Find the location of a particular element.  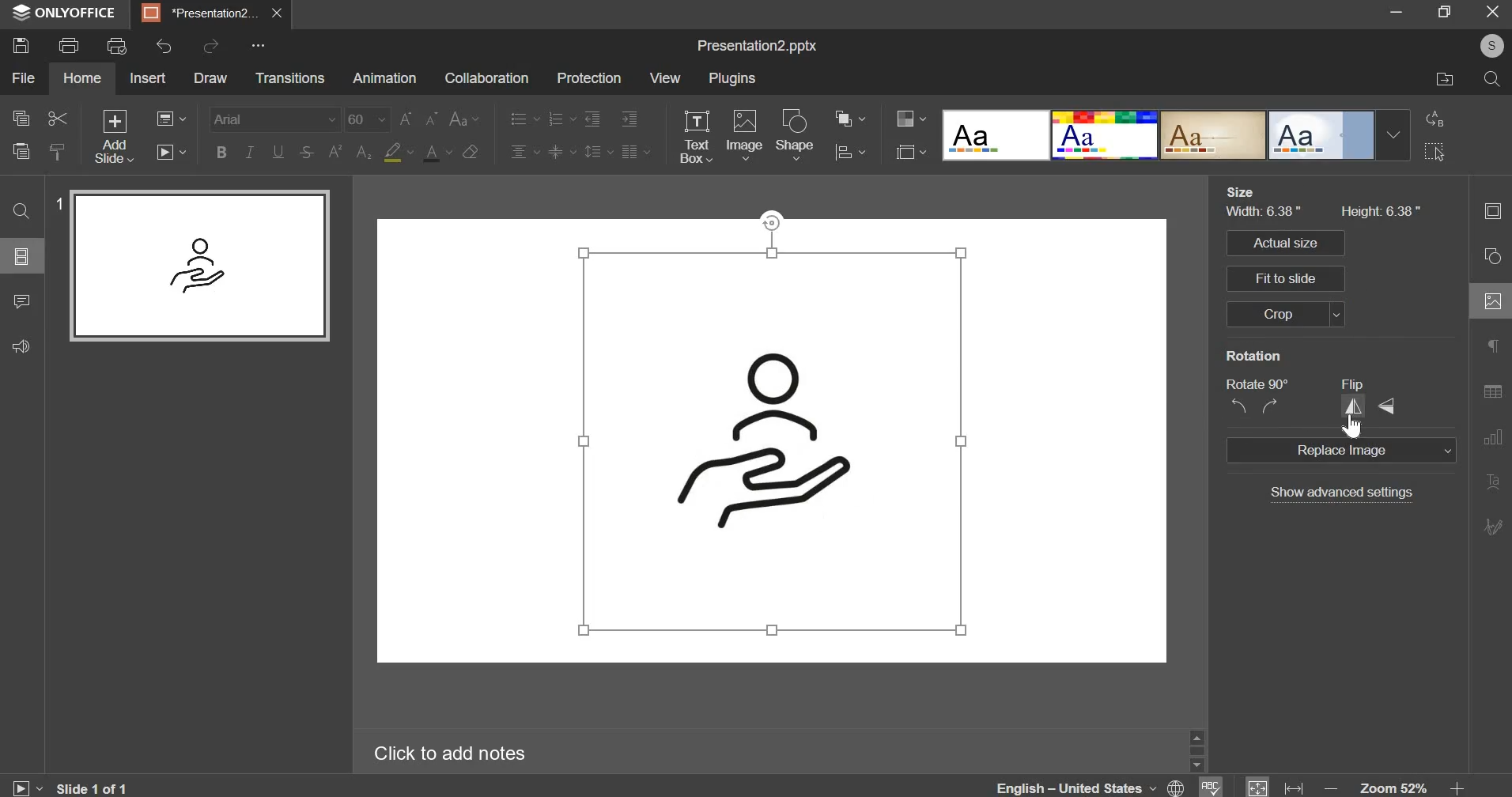

crop is located at coordinates (1297, 312).